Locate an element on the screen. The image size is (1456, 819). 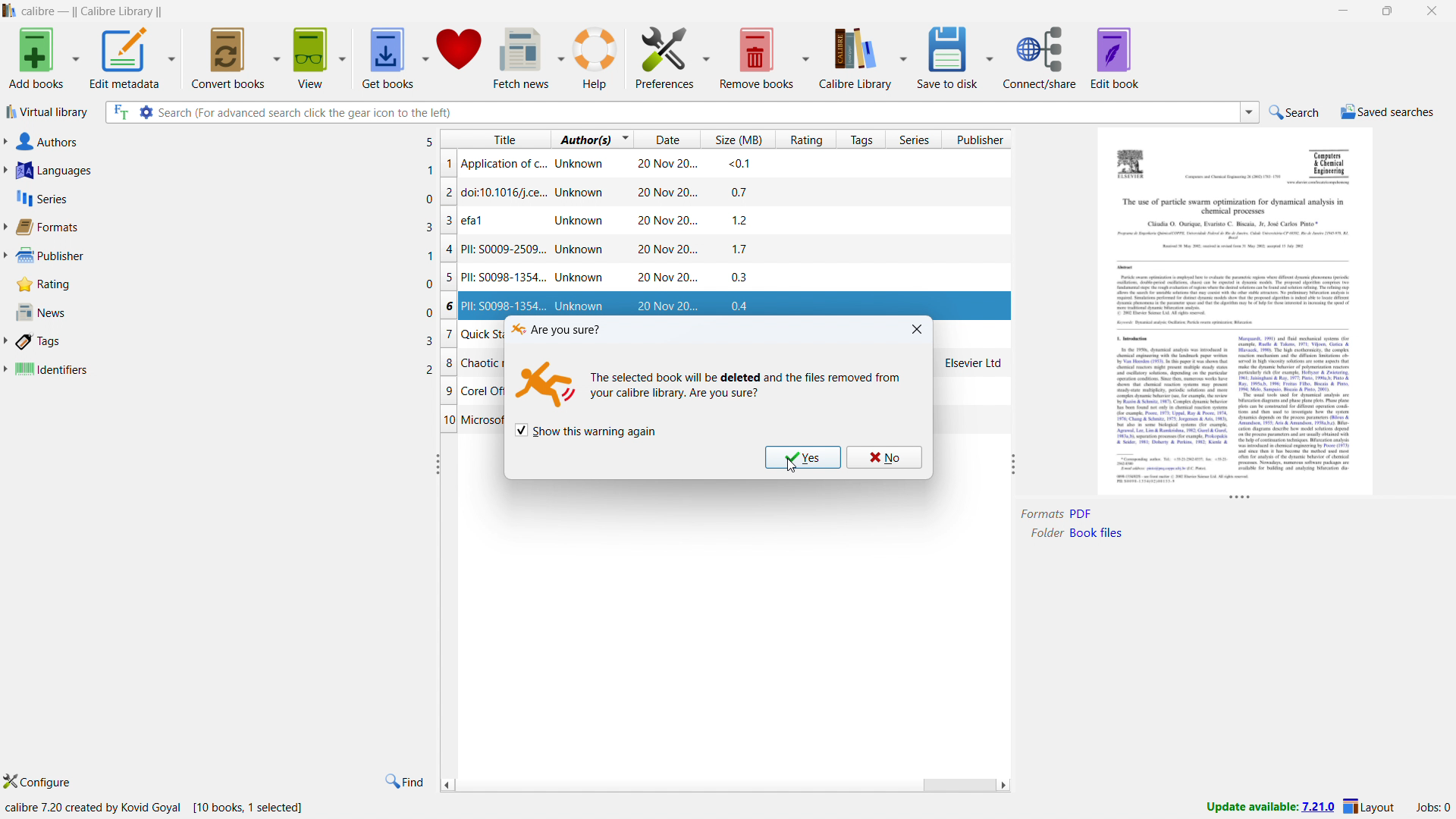
view is located at coordinates (312, 56).